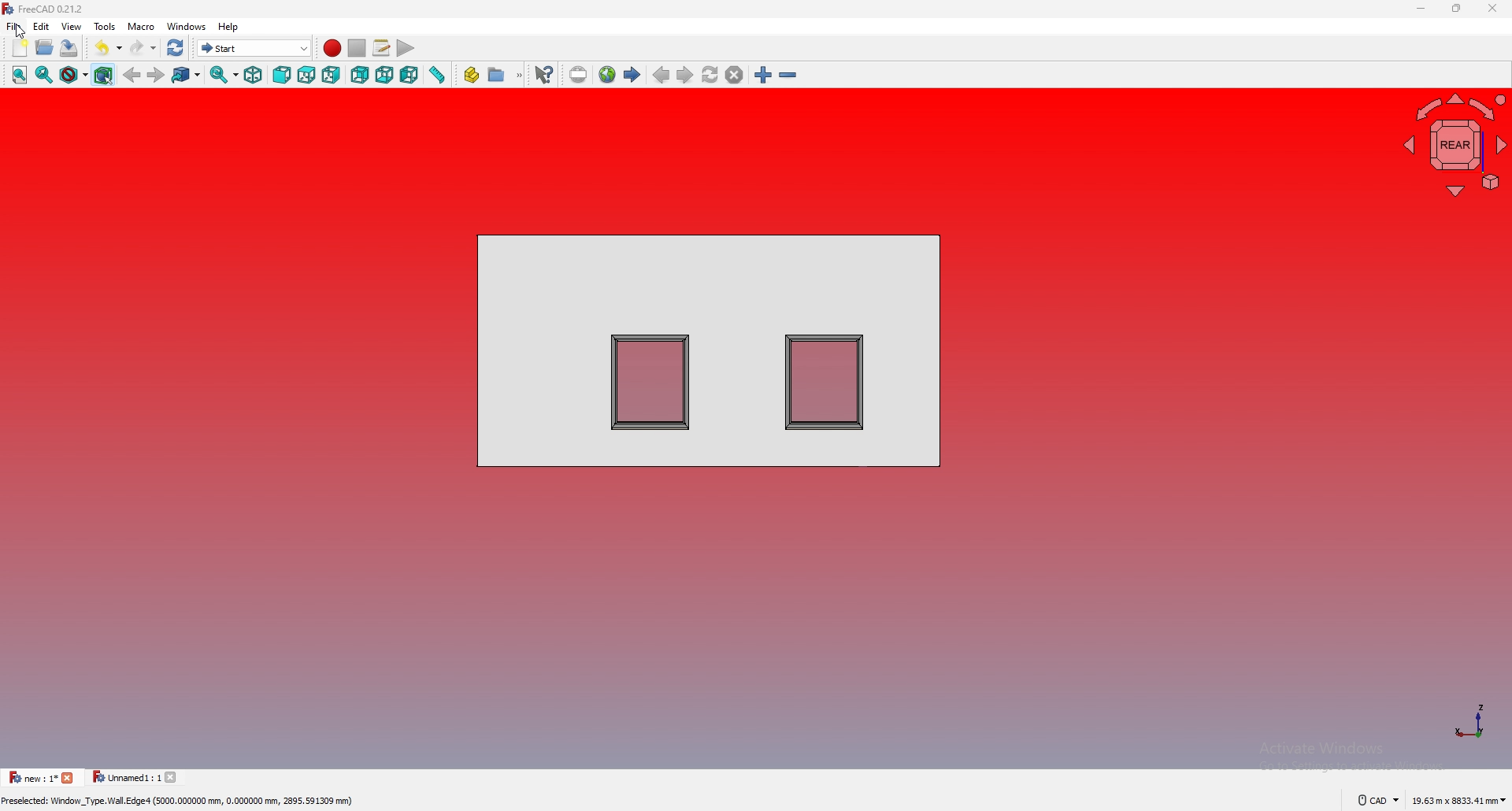 The image size is (1512, 811). I want to click on make group, so click(506, 75).